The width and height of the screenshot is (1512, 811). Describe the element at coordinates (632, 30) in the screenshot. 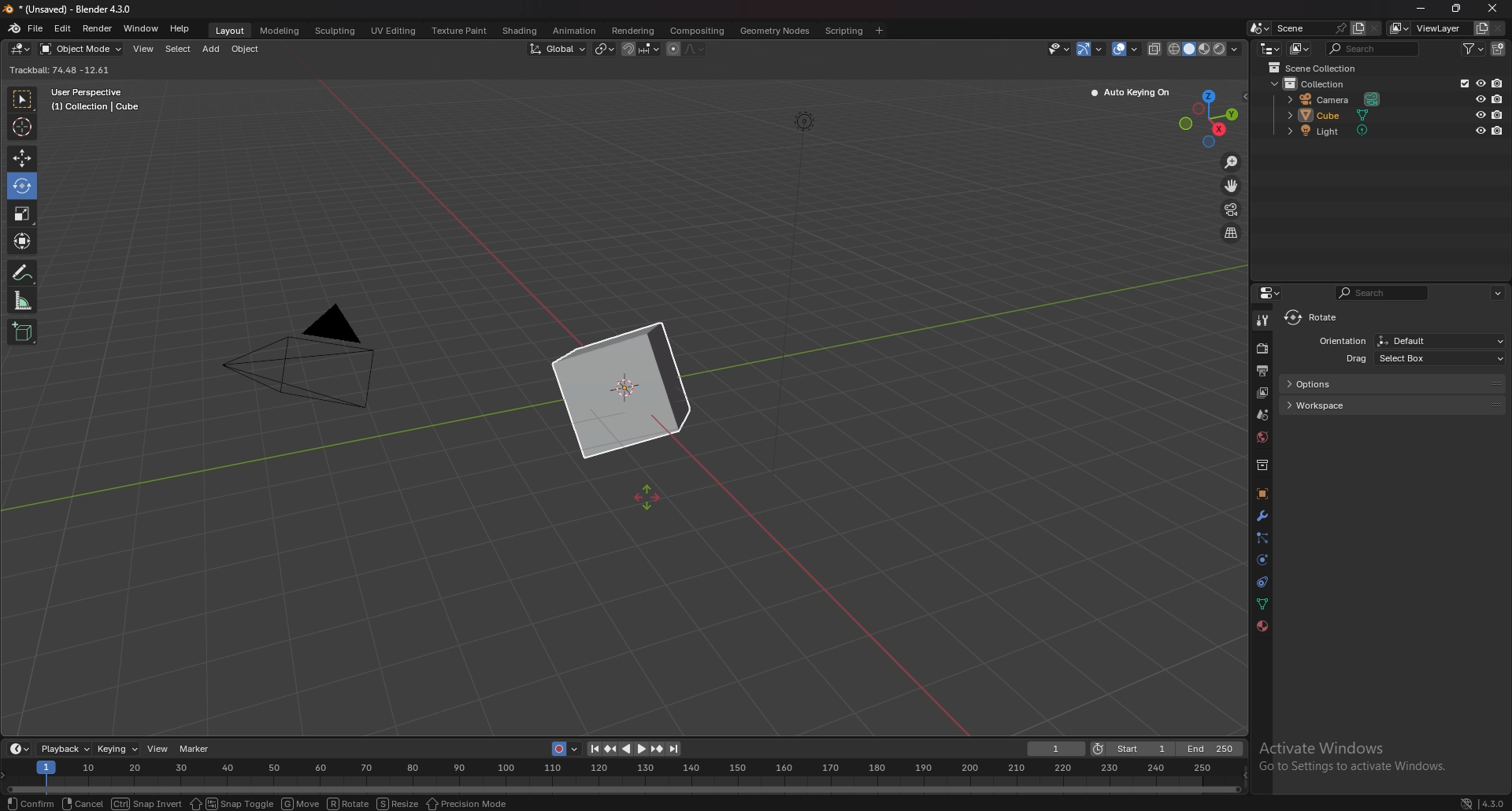

I see `rendering` at that location.